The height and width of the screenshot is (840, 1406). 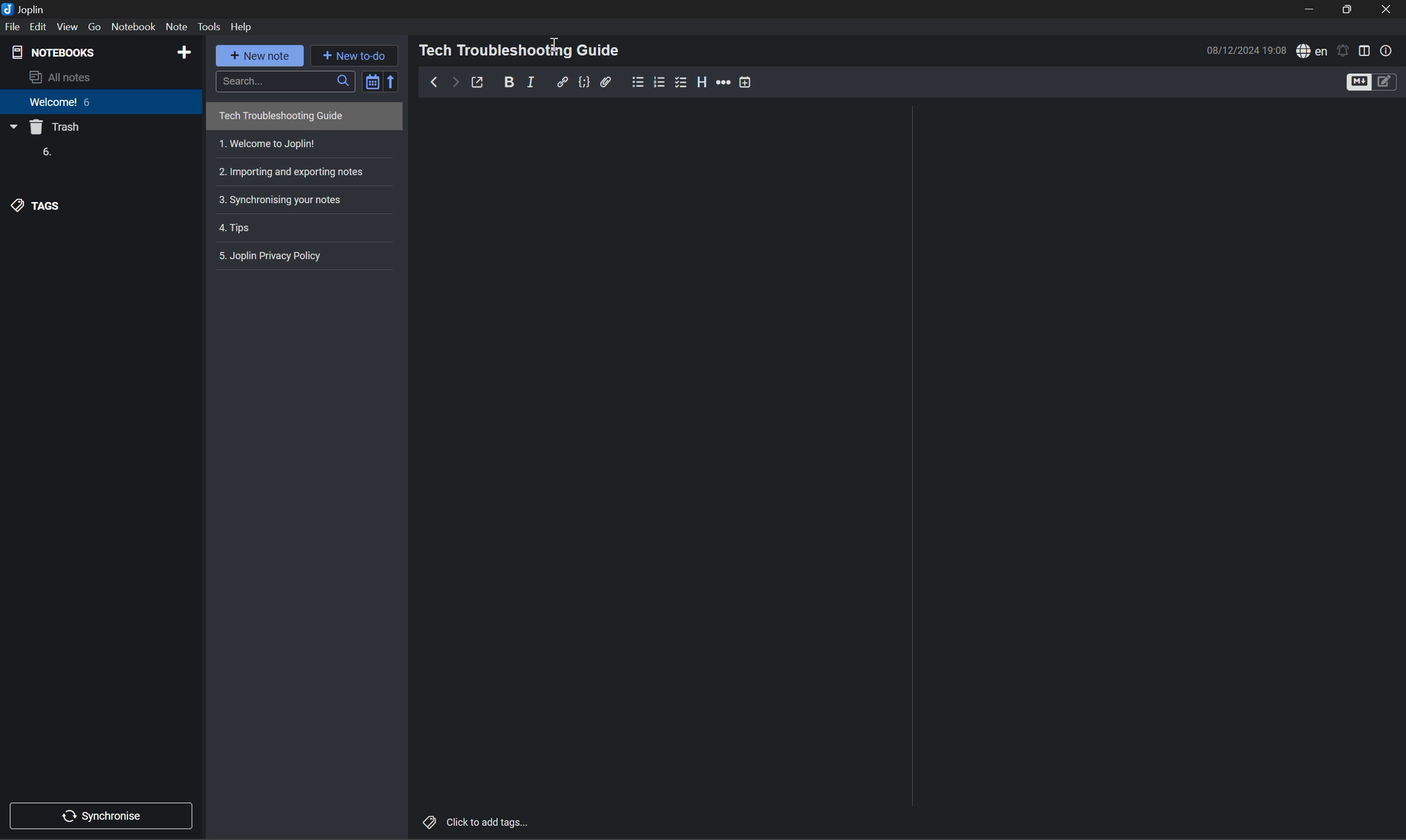 What do you see at coordinates (239, 229) in the screenshot?
I see `4. Tips` at bounding box center [239, 229].